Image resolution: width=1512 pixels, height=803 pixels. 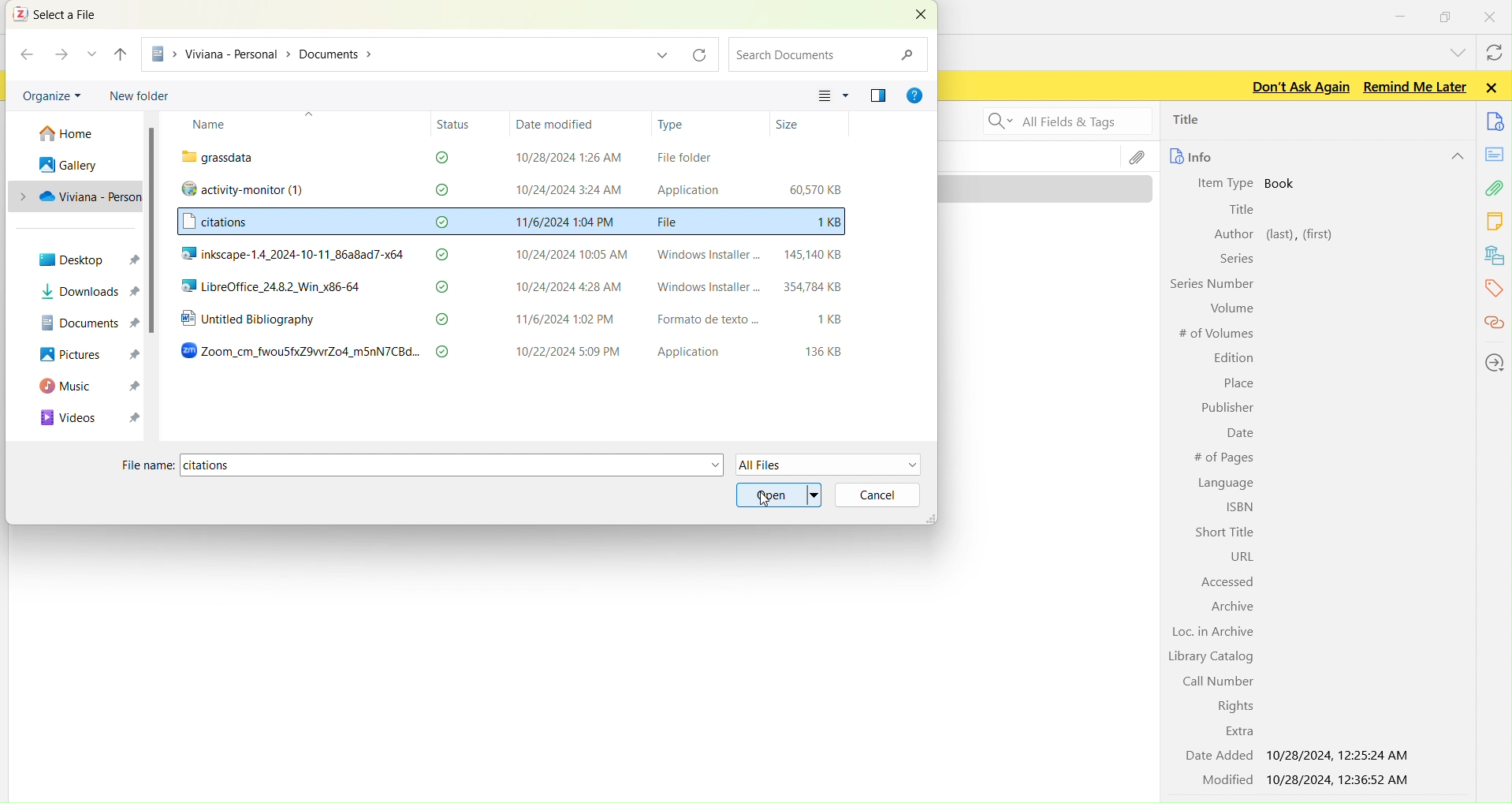 I want to click on Loc. in Archive, so click(x=1215, y=631).